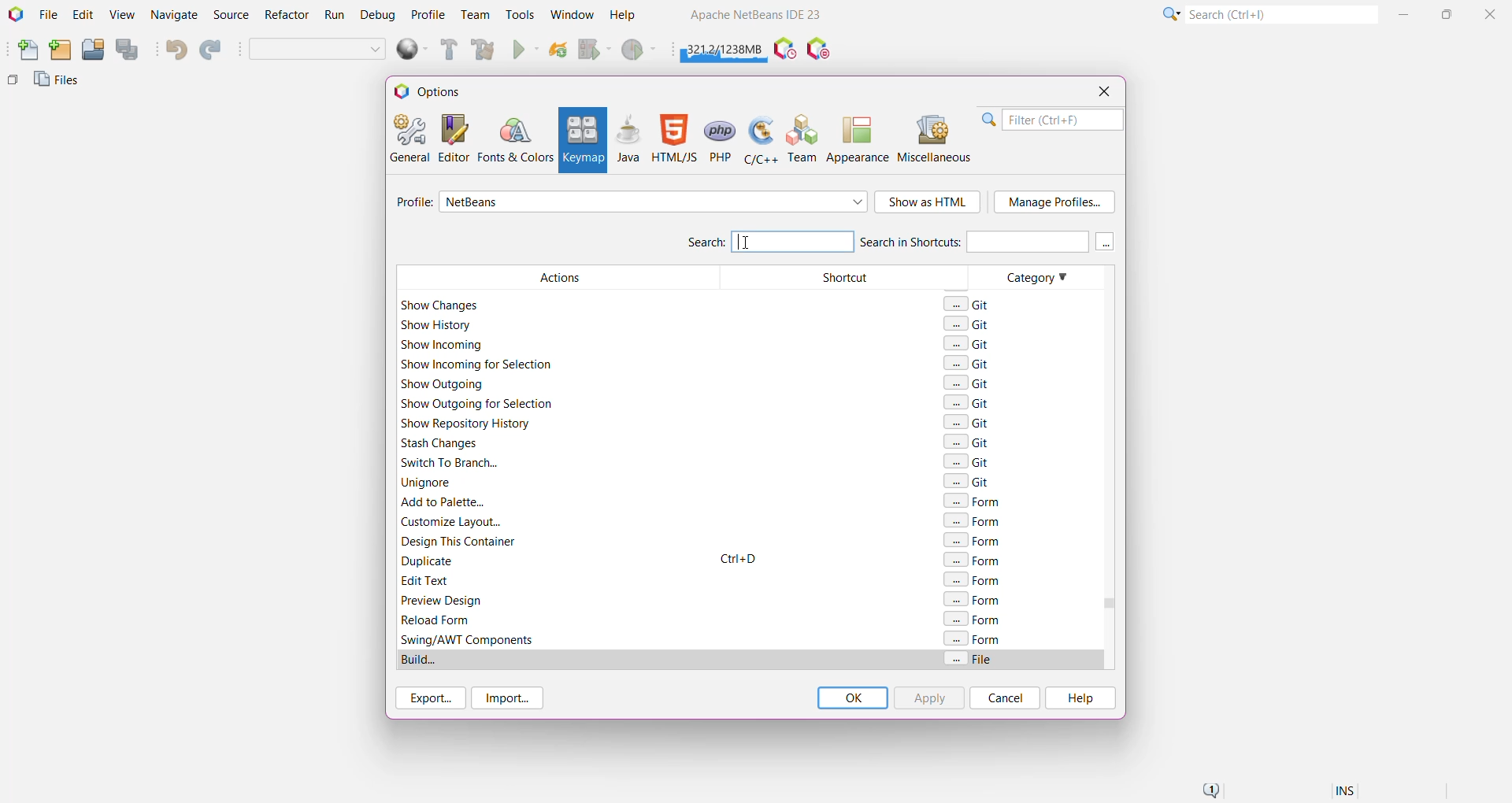  Describe the element at coordinates (474, 15) in the screenshot. I see `Team` at that location.